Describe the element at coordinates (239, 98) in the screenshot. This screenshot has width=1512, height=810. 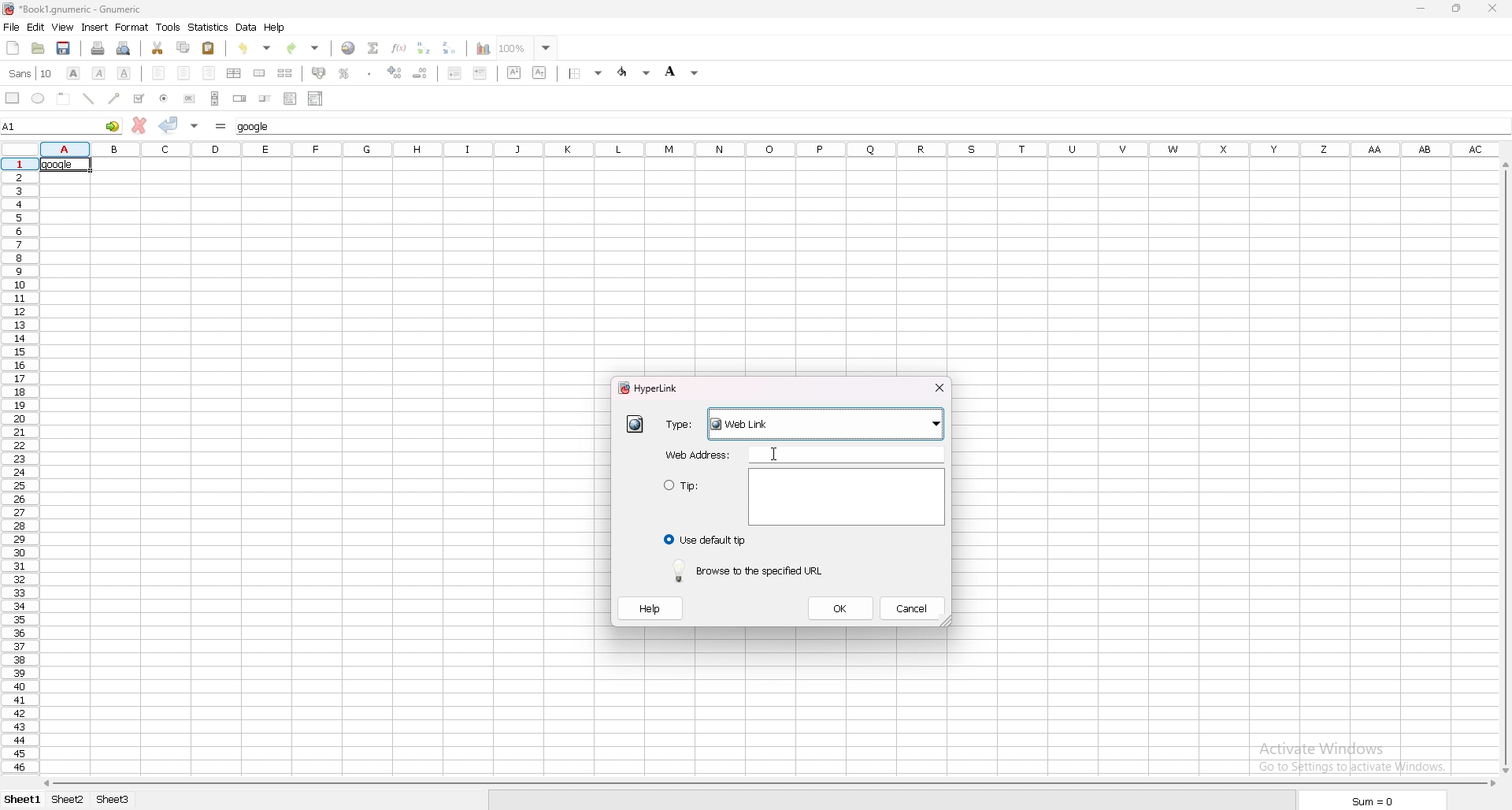
I see `spin button` at that location.